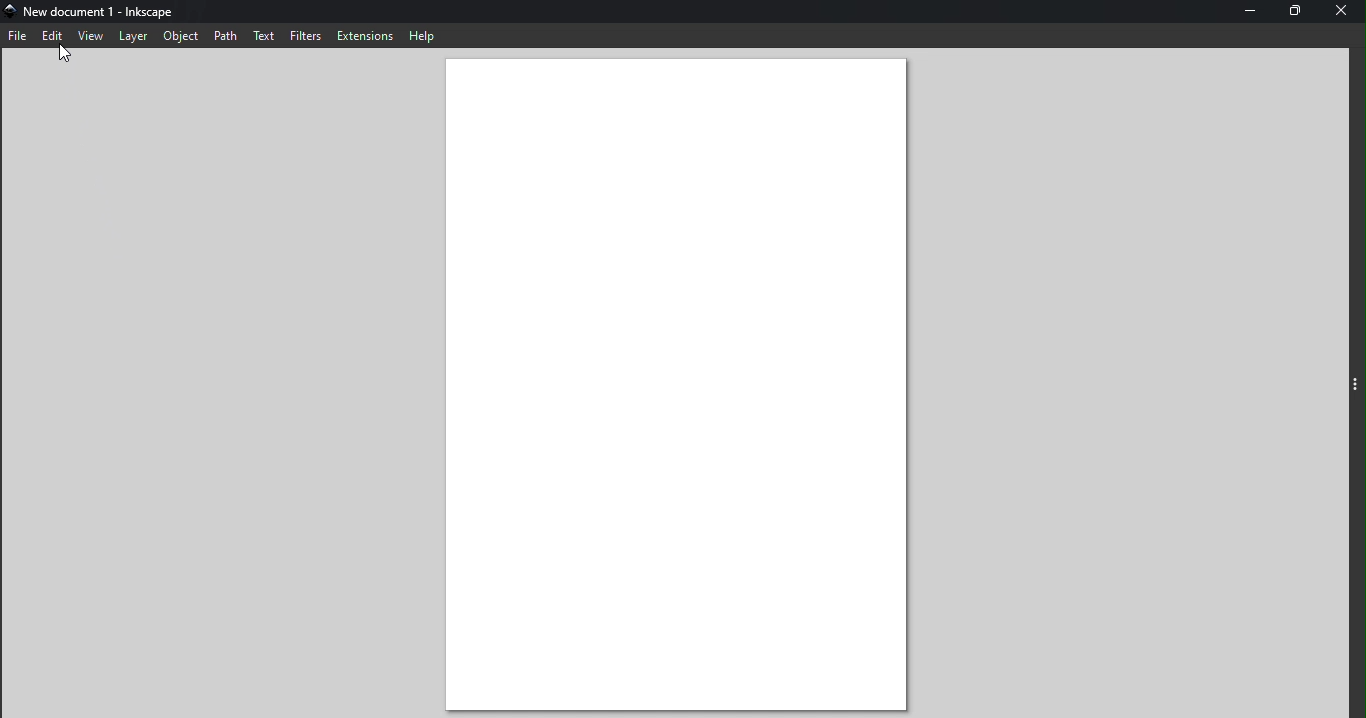 The height and width of the screenshot is (718, 1366). Describe the element at coordinates (10, 11) in the screenshot. I see `app icon` at that location.